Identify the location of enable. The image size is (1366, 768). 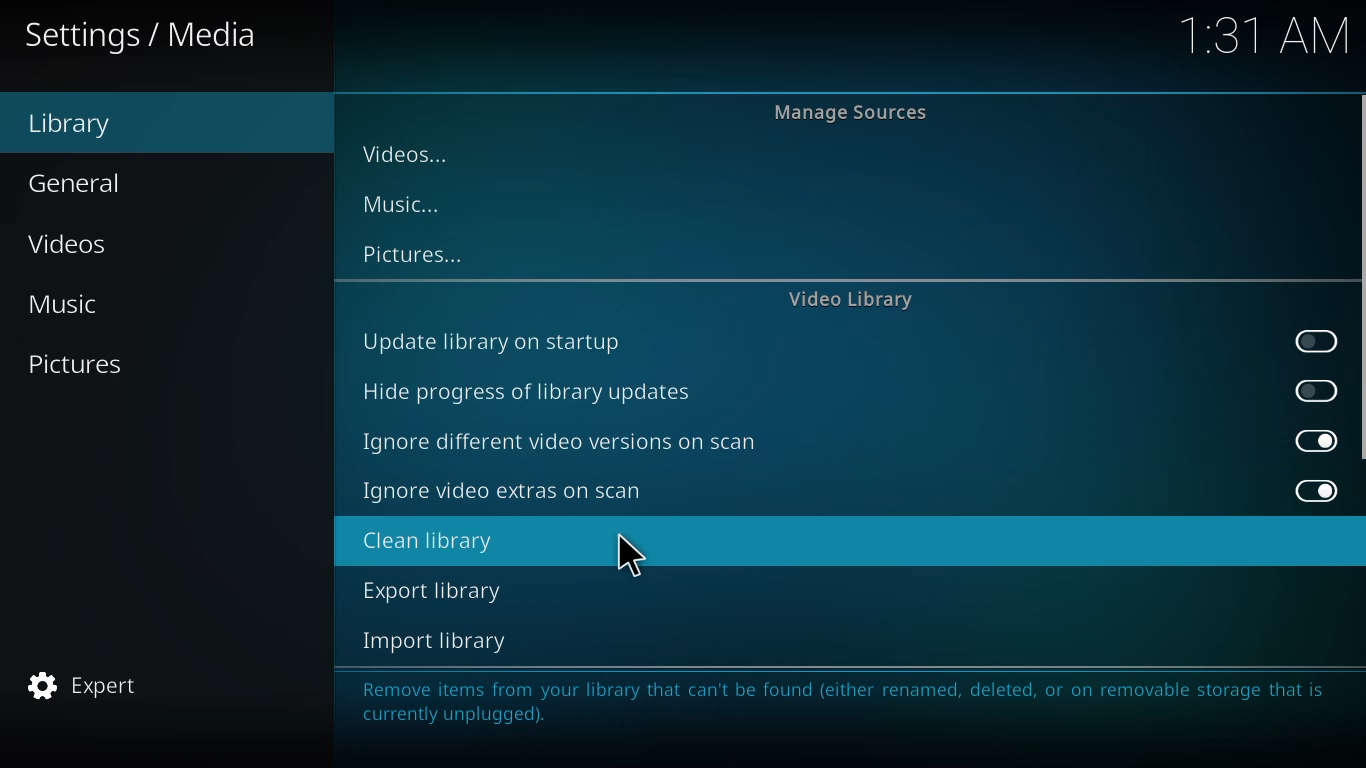
(1316, 341).